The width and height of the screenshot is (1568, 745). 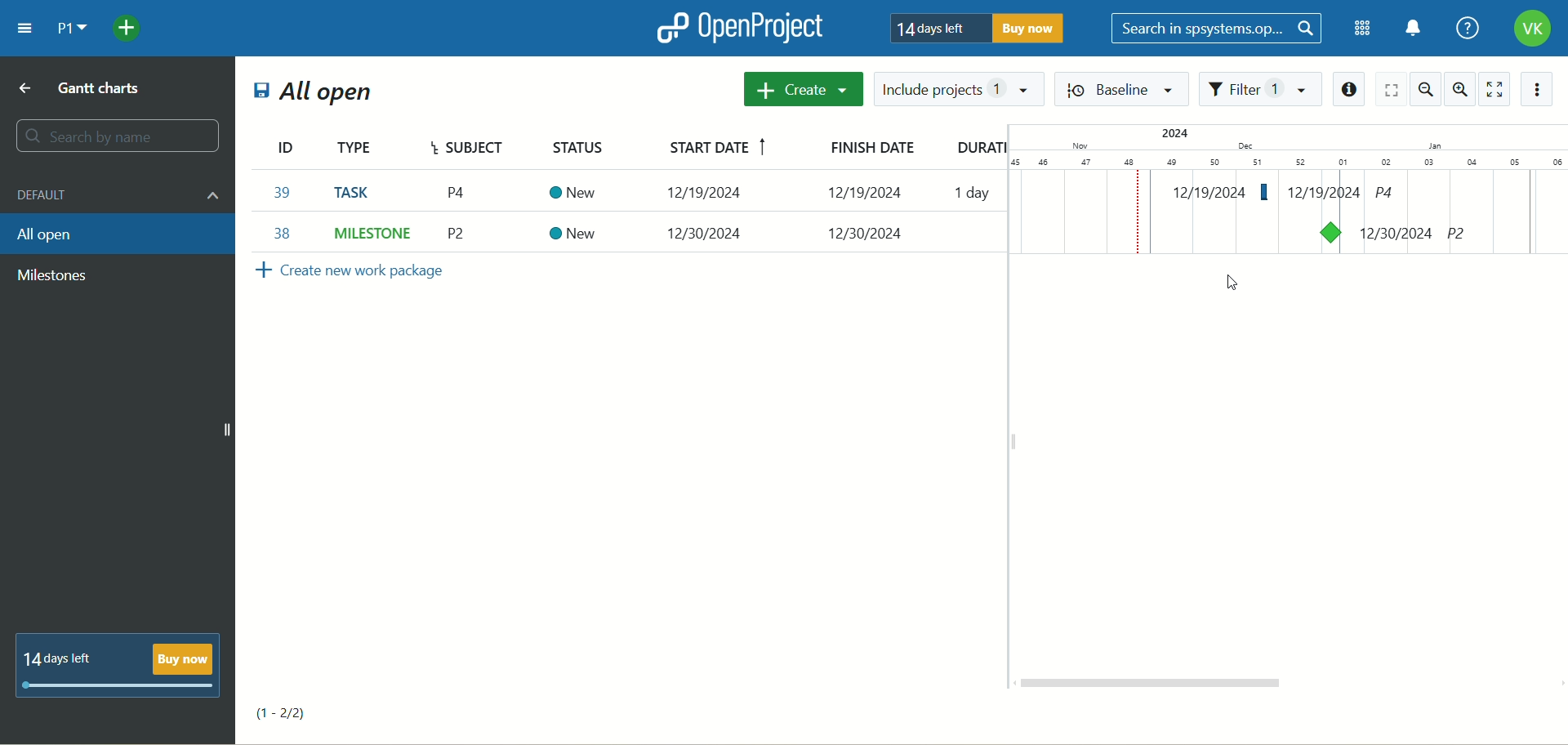 I want to click on include projects, so click(x=961, y=89).